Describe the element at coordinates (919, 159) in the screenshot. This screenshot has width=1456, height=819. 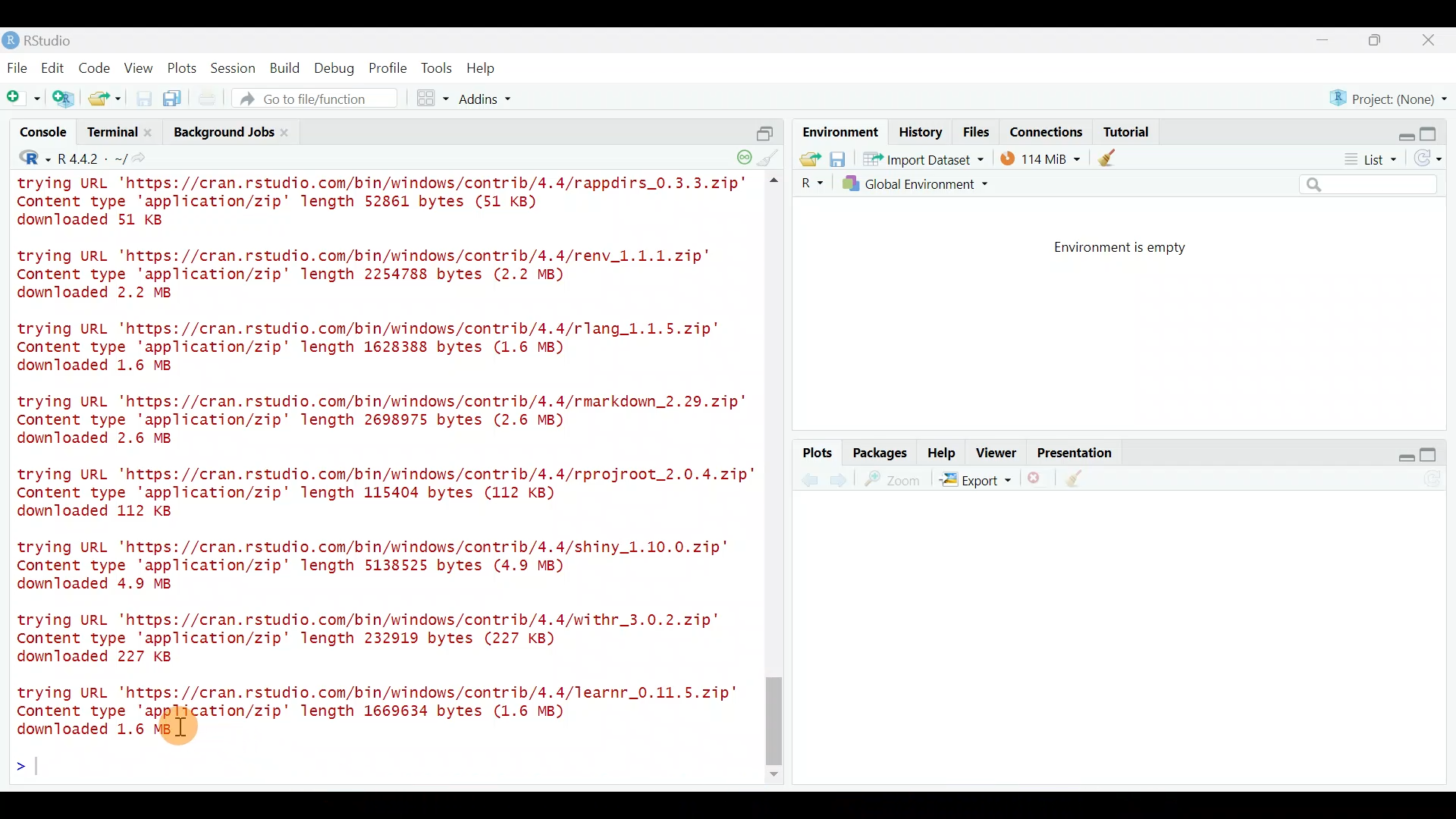
I see `* Import Dataset *` at that location.